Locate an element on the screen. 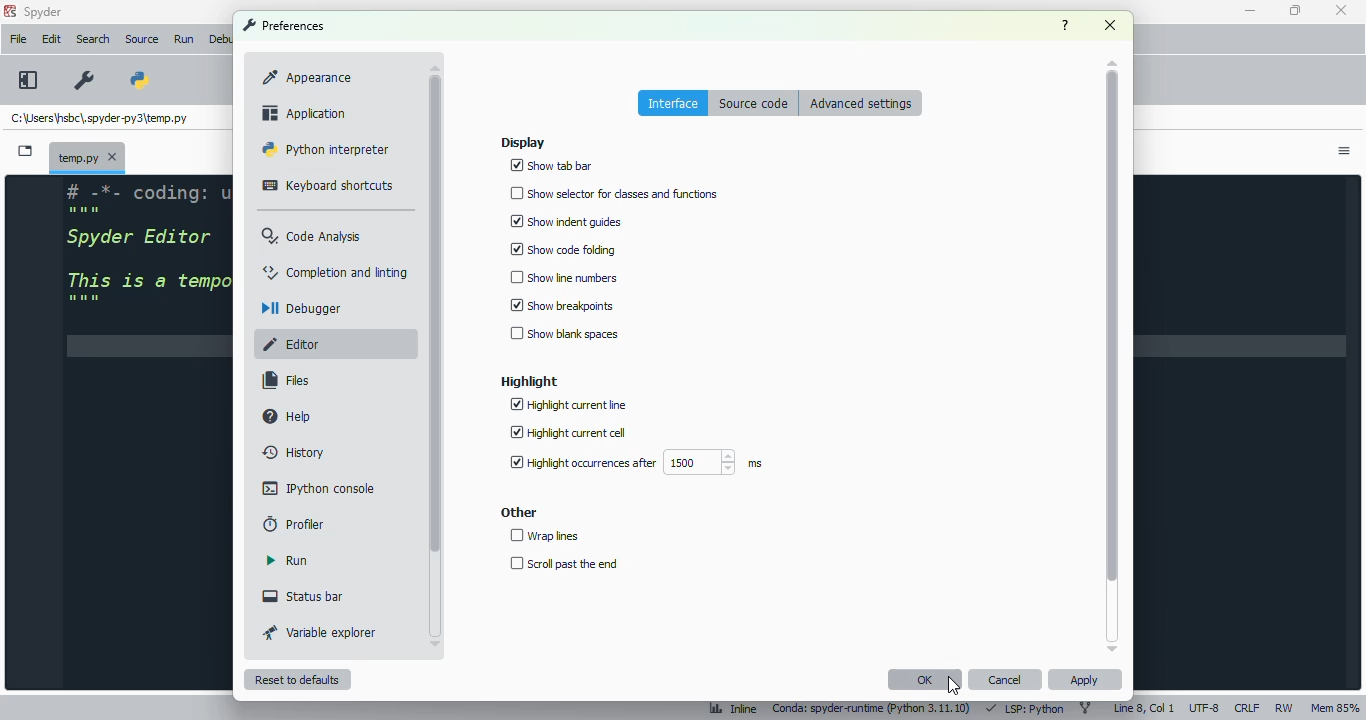 This screenshot has height=720, width=1366. conda: spyder-runtime (python 3. 11. 10) is located at coordinates (871, 708).